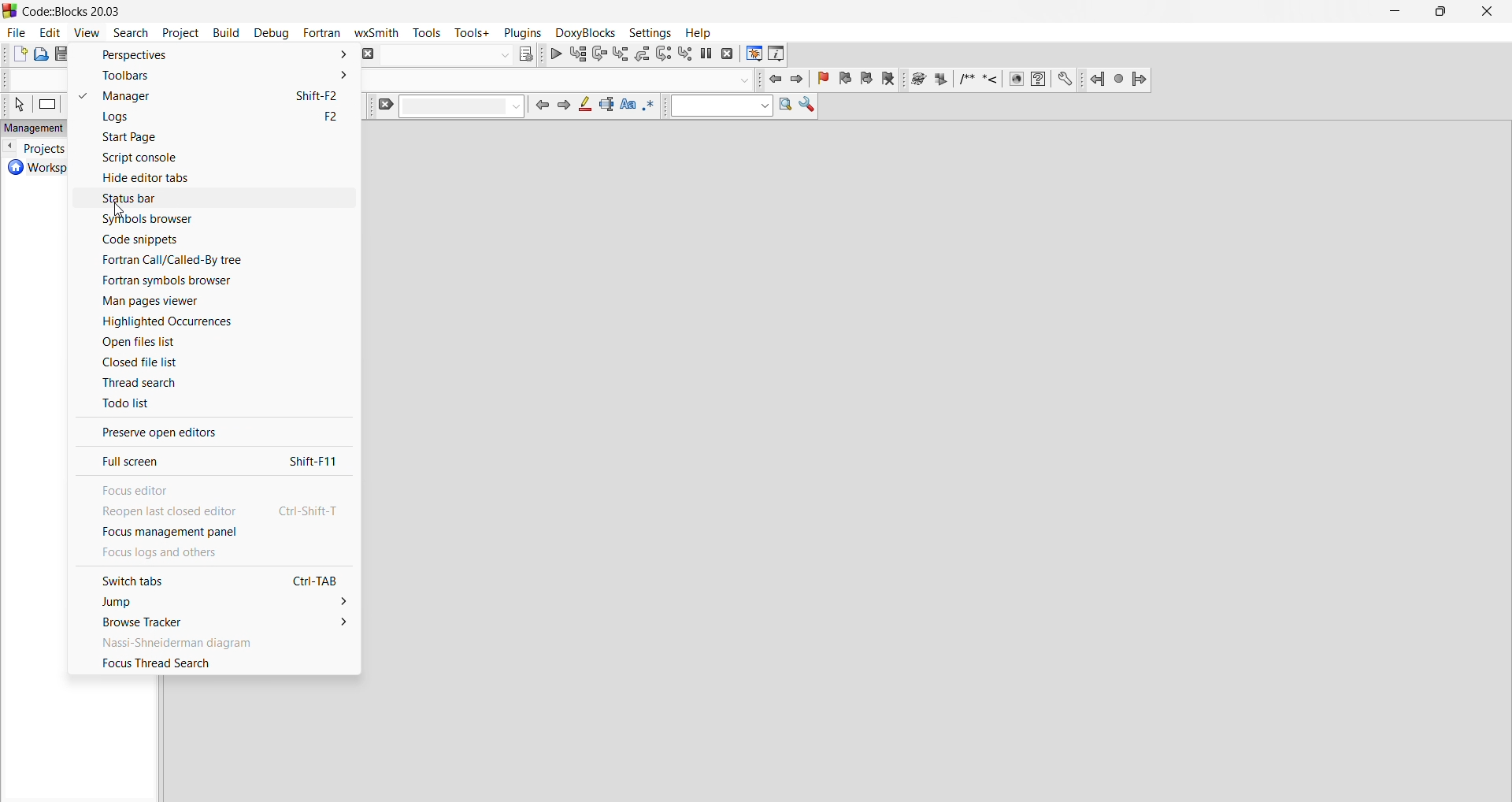  Describe the element at coordinates (216, 622) in the screenshot. I see `browse tracker` at that location.